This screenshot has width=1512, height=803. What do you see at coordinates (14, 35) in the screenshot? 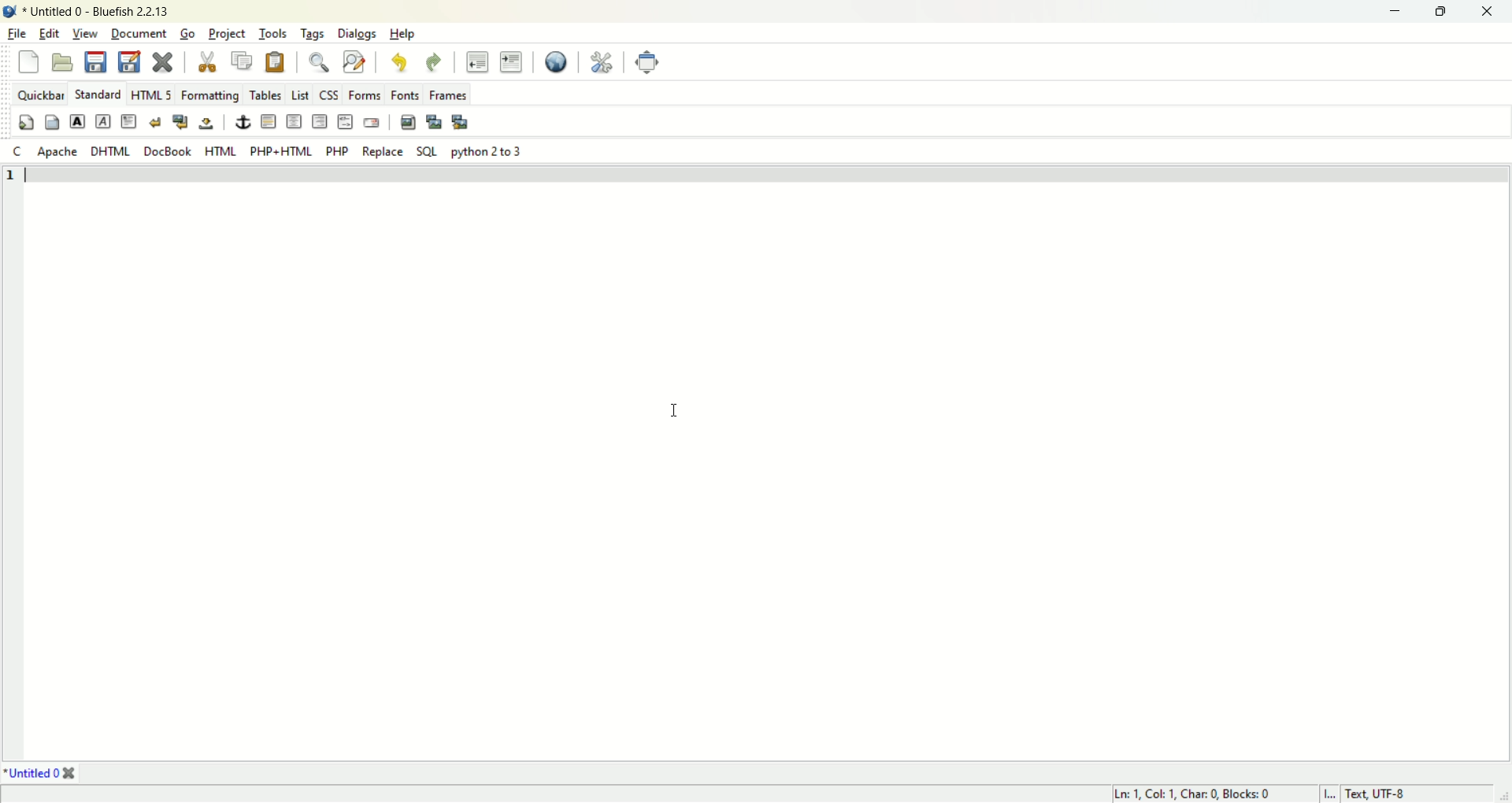
I see `file` at bounding box center [14, 35].